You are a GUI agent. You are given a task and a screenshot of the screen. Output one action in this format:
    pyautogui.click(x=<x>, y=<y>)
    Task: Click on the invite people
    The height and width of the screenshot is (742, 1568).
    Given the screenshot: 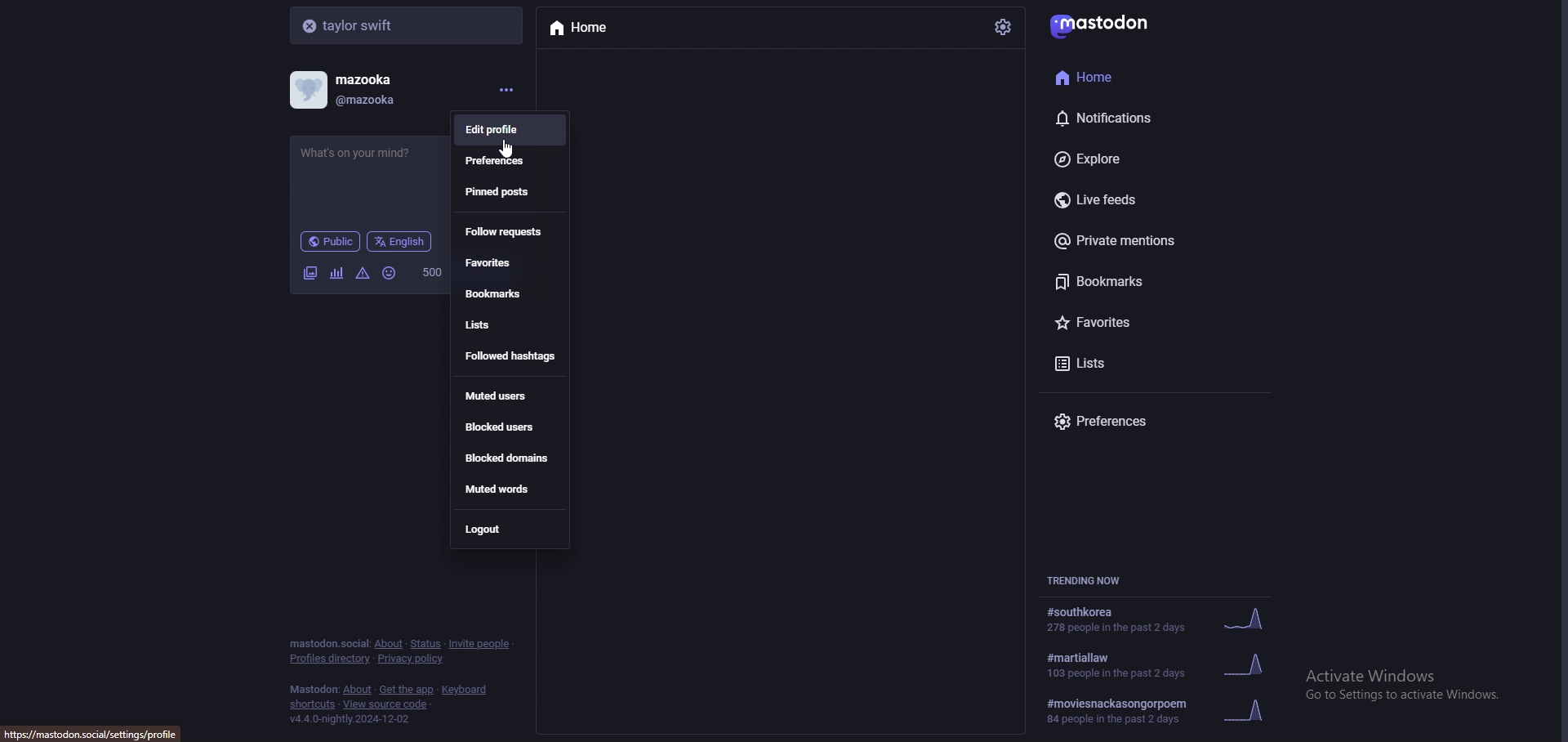 What is the action you would take?
    pyautogui.click(x=483, y=645)
    